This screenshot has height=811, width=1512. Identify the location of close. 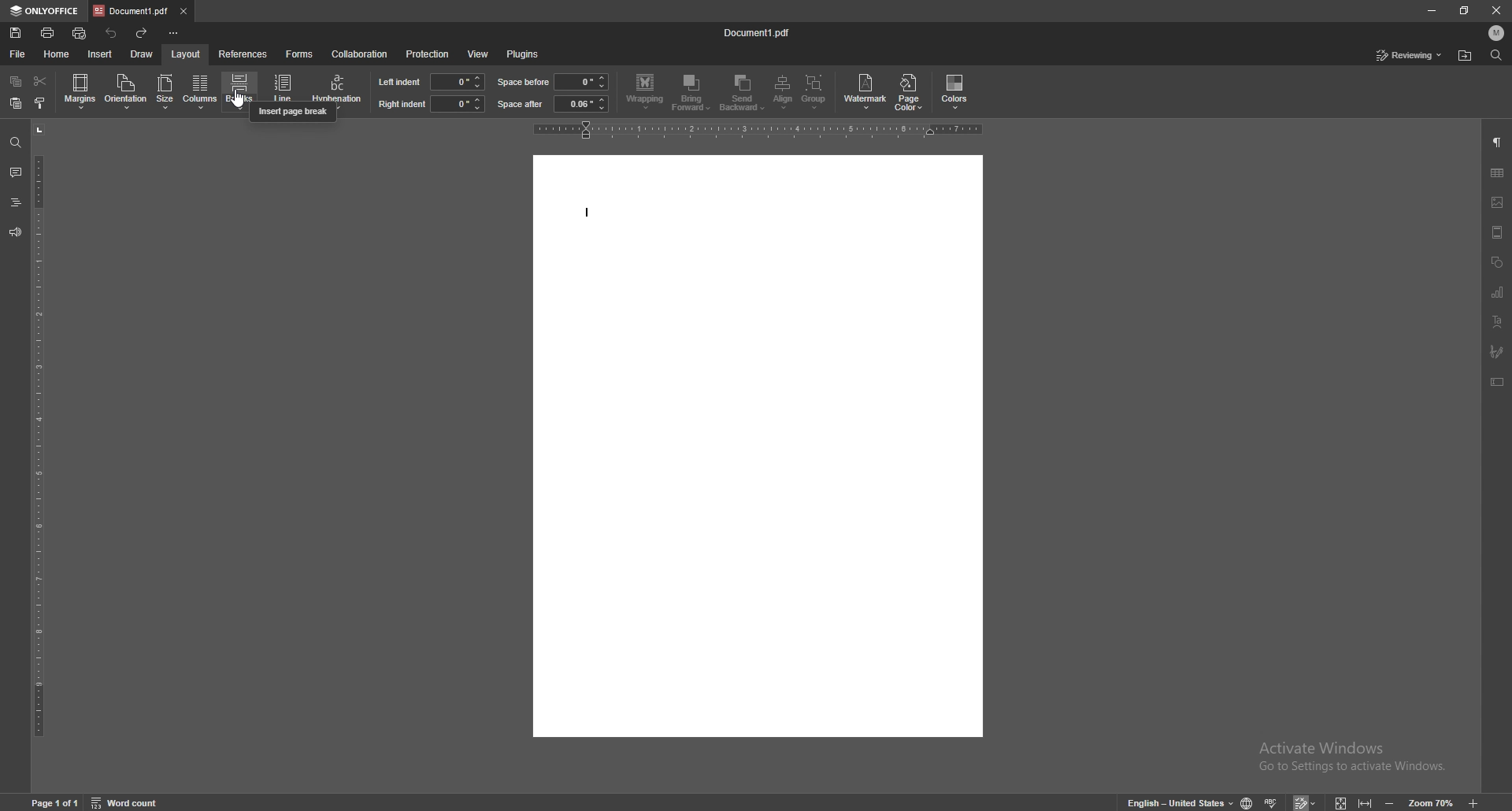
(1498, 9).